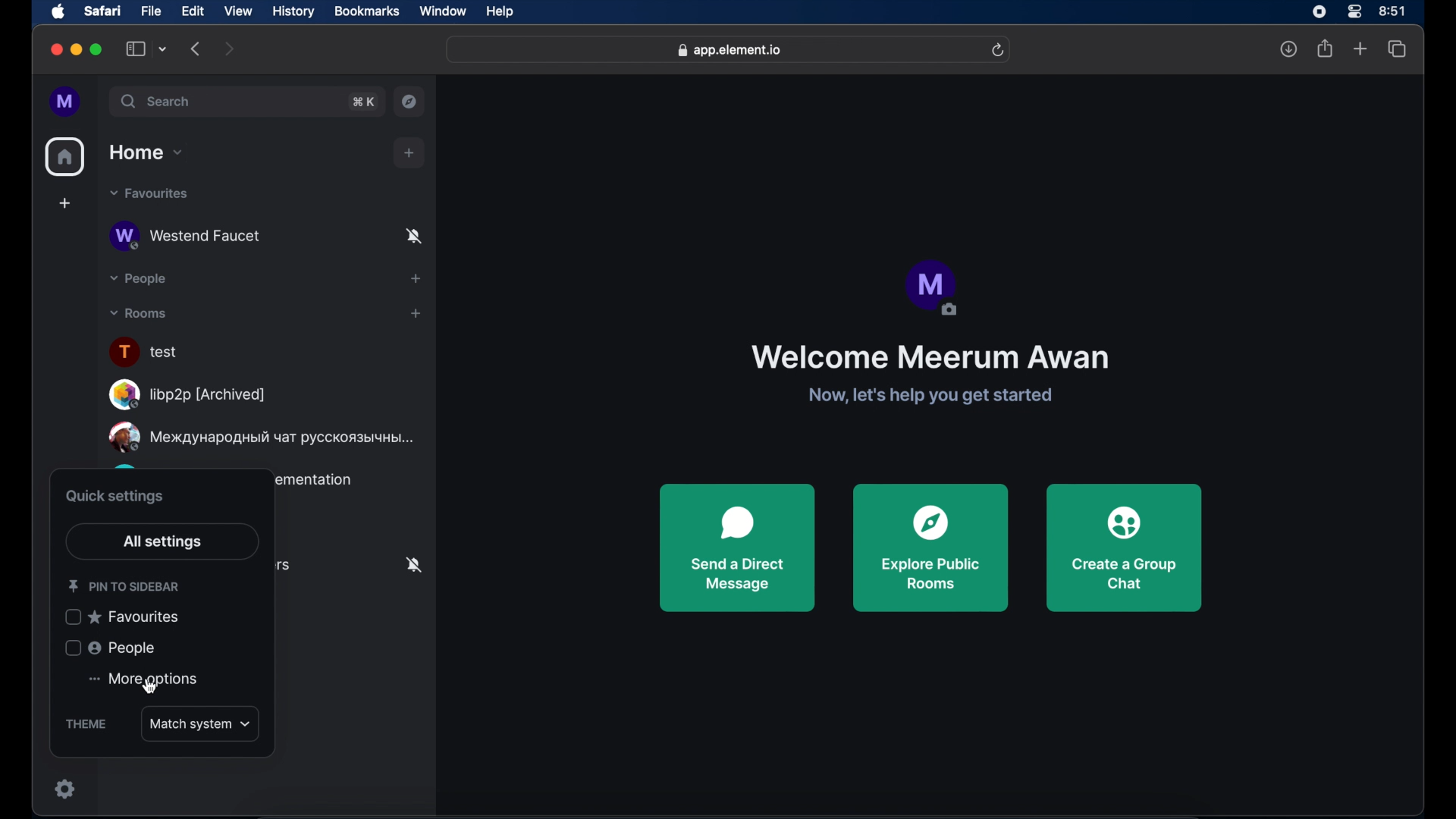  Describe the element at coordinates (929, 397) in the screenshot. I see `now lets help you get started` at that location.